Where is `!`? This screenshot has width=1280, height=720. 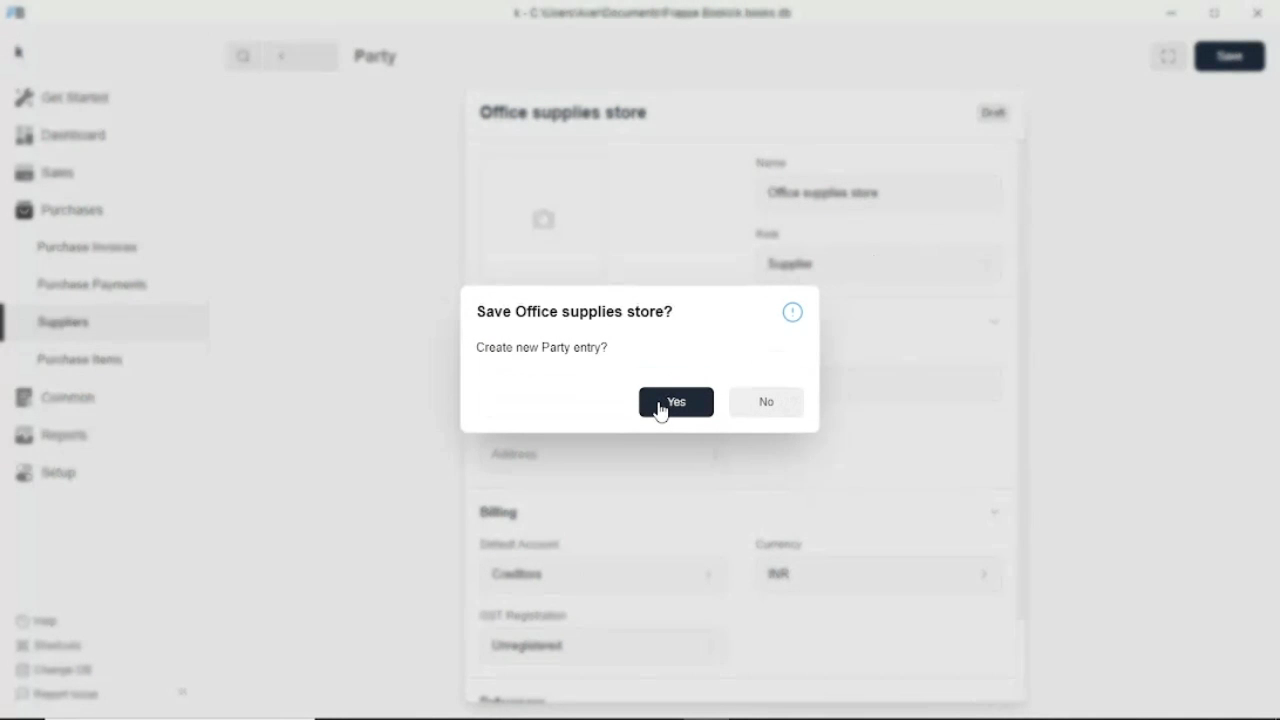 ! is located at coordinates (793, 312).